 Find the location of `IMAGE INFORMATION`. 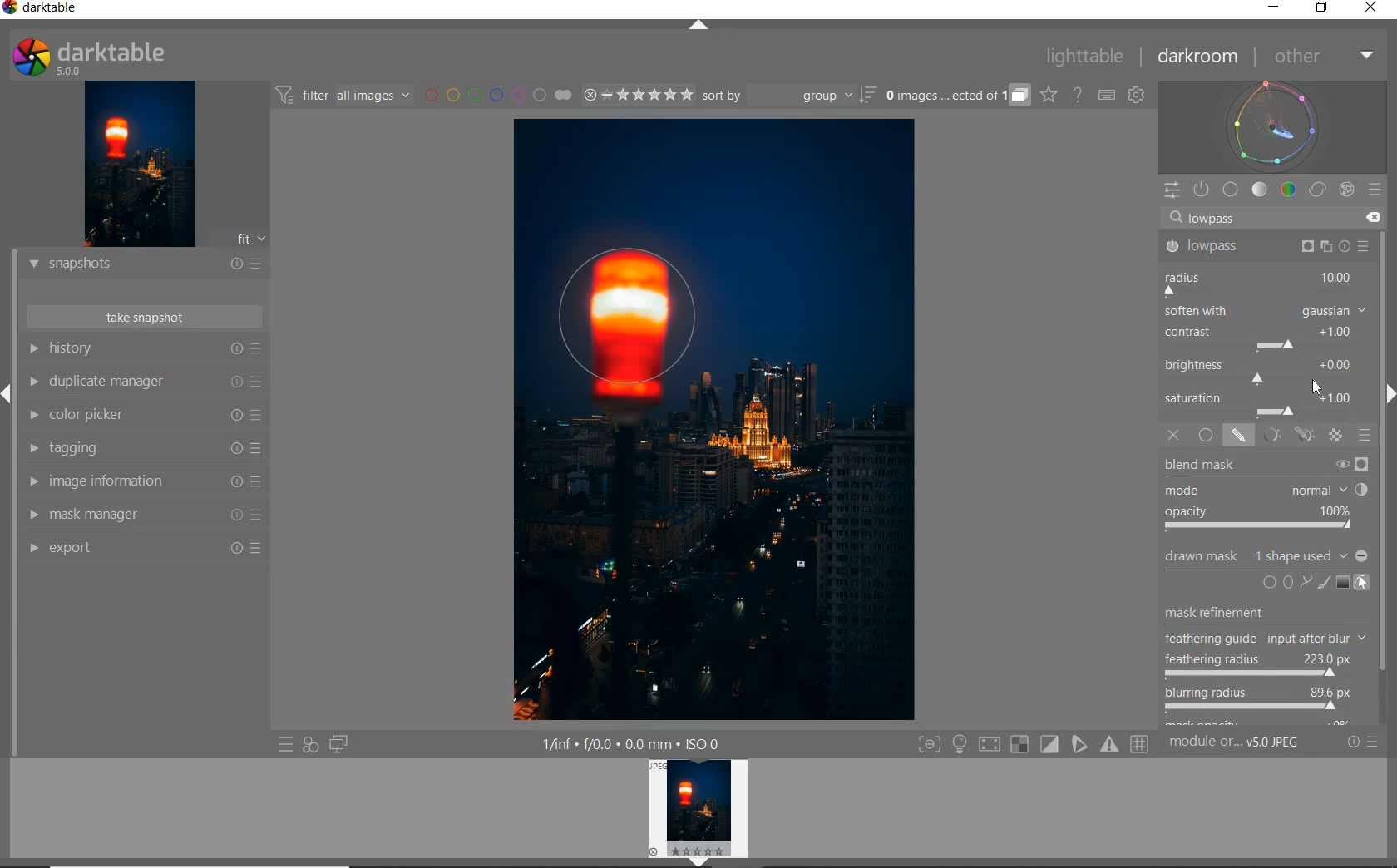

IMAGE INFORMATION is located at coordinates (143, 483).